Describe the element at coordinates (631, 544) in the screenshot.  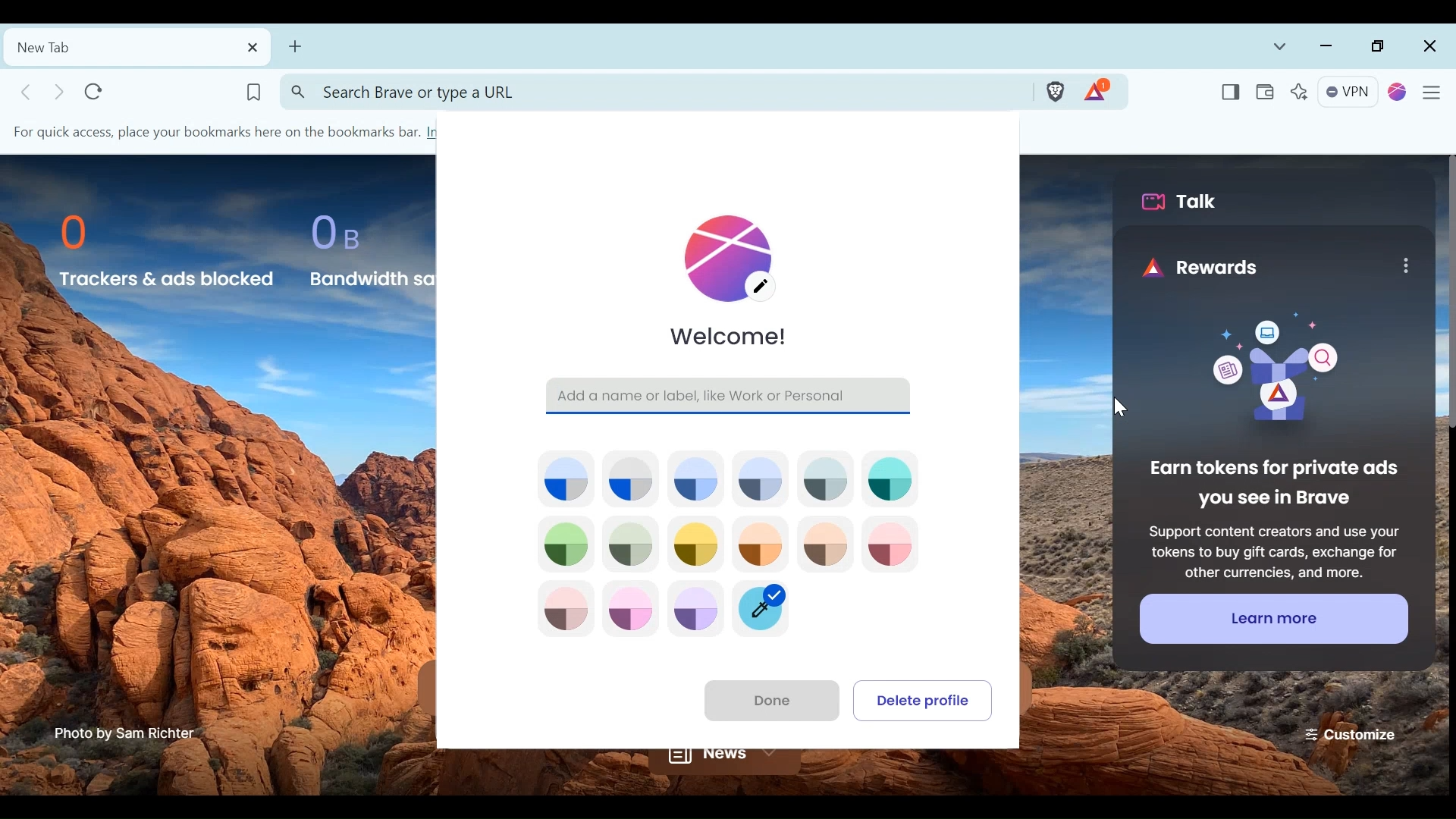
I see `Theme` at that location.